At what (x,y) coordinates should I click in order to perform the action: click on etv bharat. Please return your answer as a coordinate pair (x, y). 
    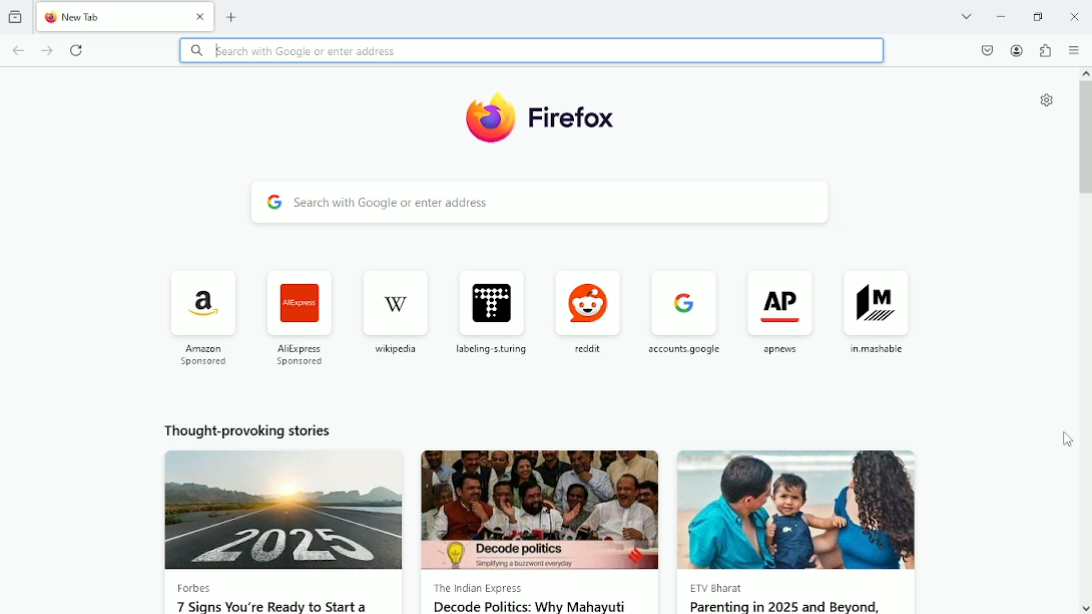
    Looking at the image, I should click on (729, 589).